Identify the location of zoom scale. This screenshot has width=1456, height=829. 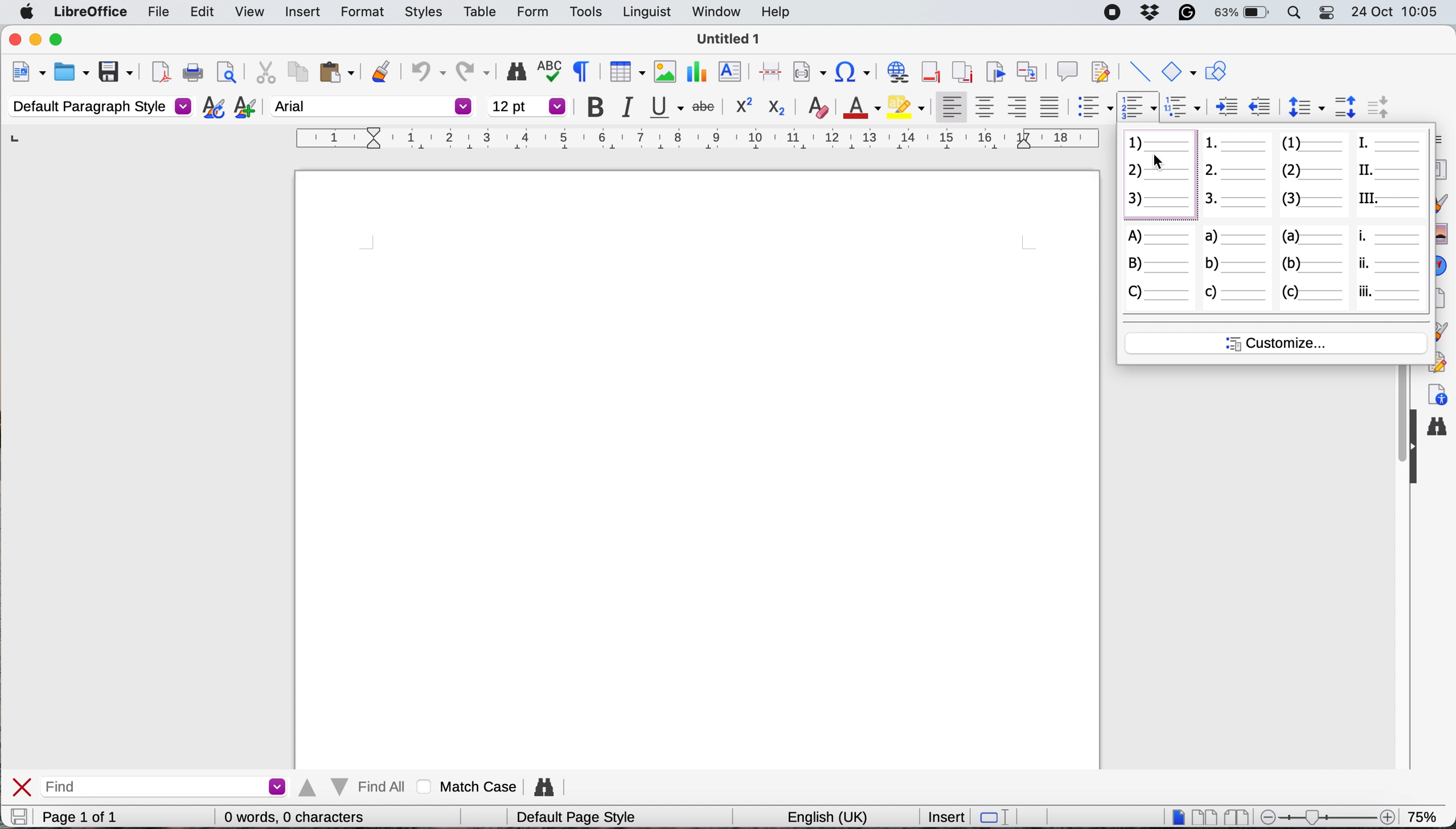
(1331, 813).